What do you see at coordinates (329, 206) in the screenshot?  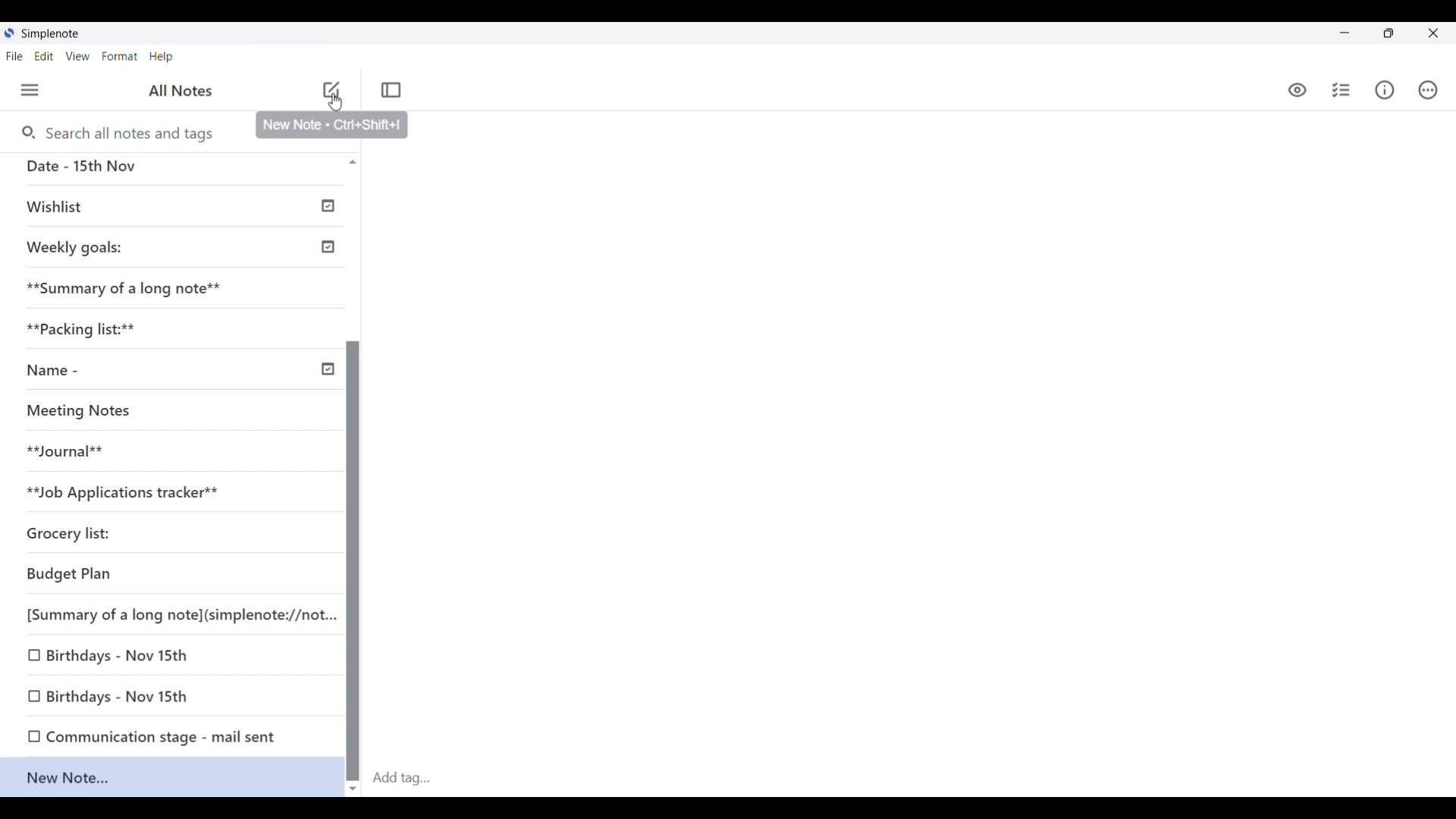 I see `timeline` at bounding box center [329, 206].